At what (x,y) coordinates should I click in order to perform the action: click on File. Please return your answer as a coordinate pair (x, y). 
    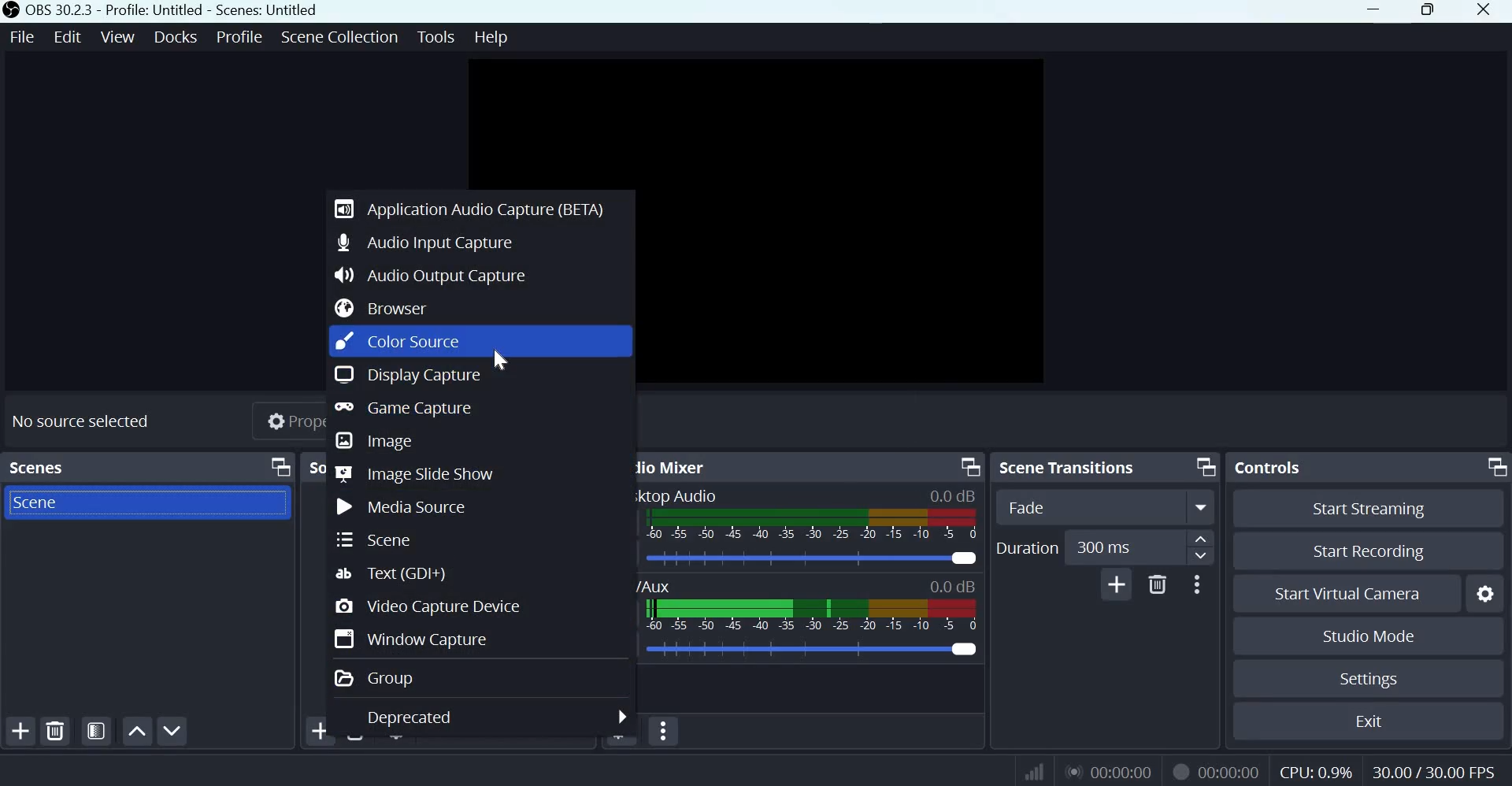
    Looking at the image, I should click on (26, 35).